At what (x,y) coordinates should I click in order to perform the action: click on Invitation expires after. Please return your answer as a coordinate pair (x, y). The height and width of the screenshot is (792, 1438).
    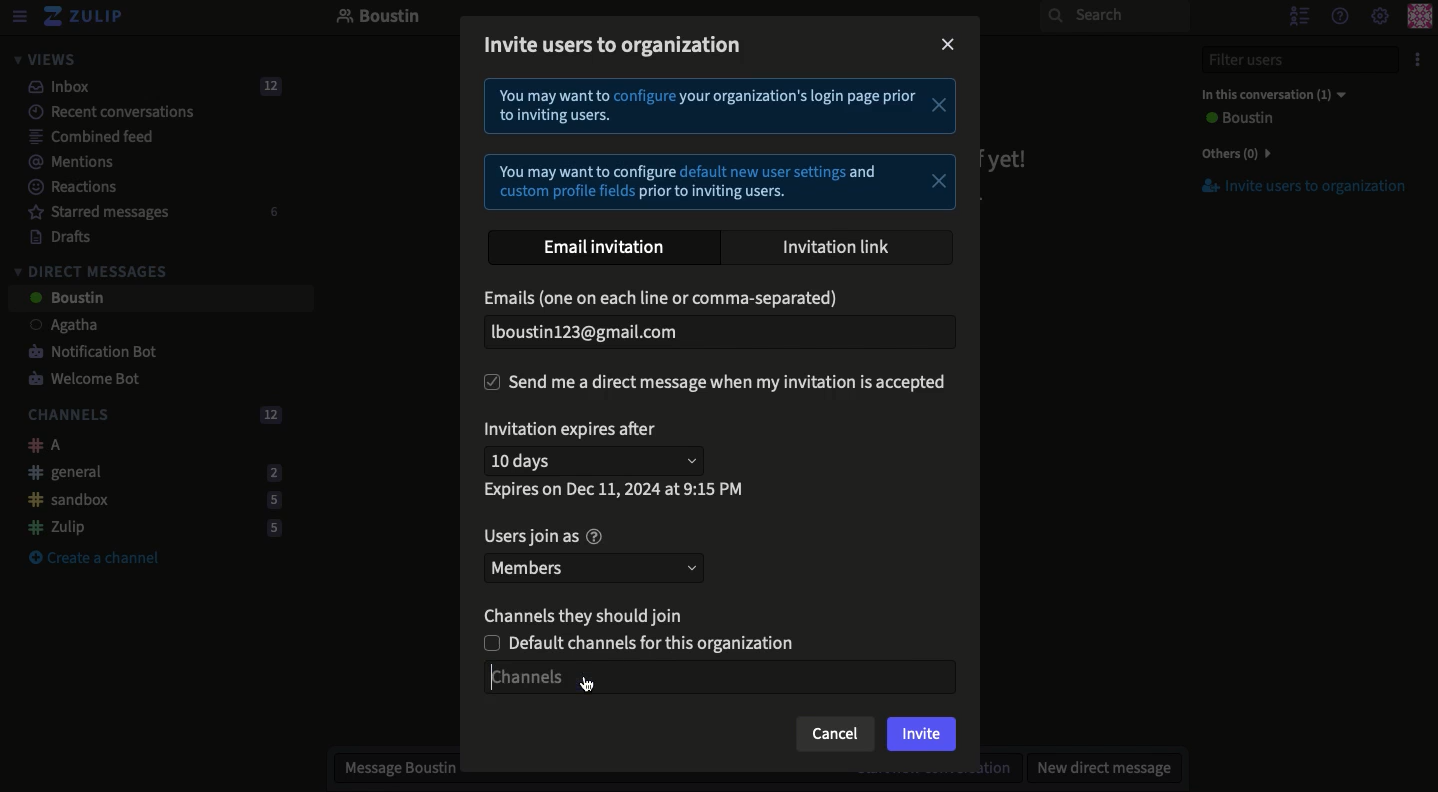
    Looking at the image, I should click on (575, 430).